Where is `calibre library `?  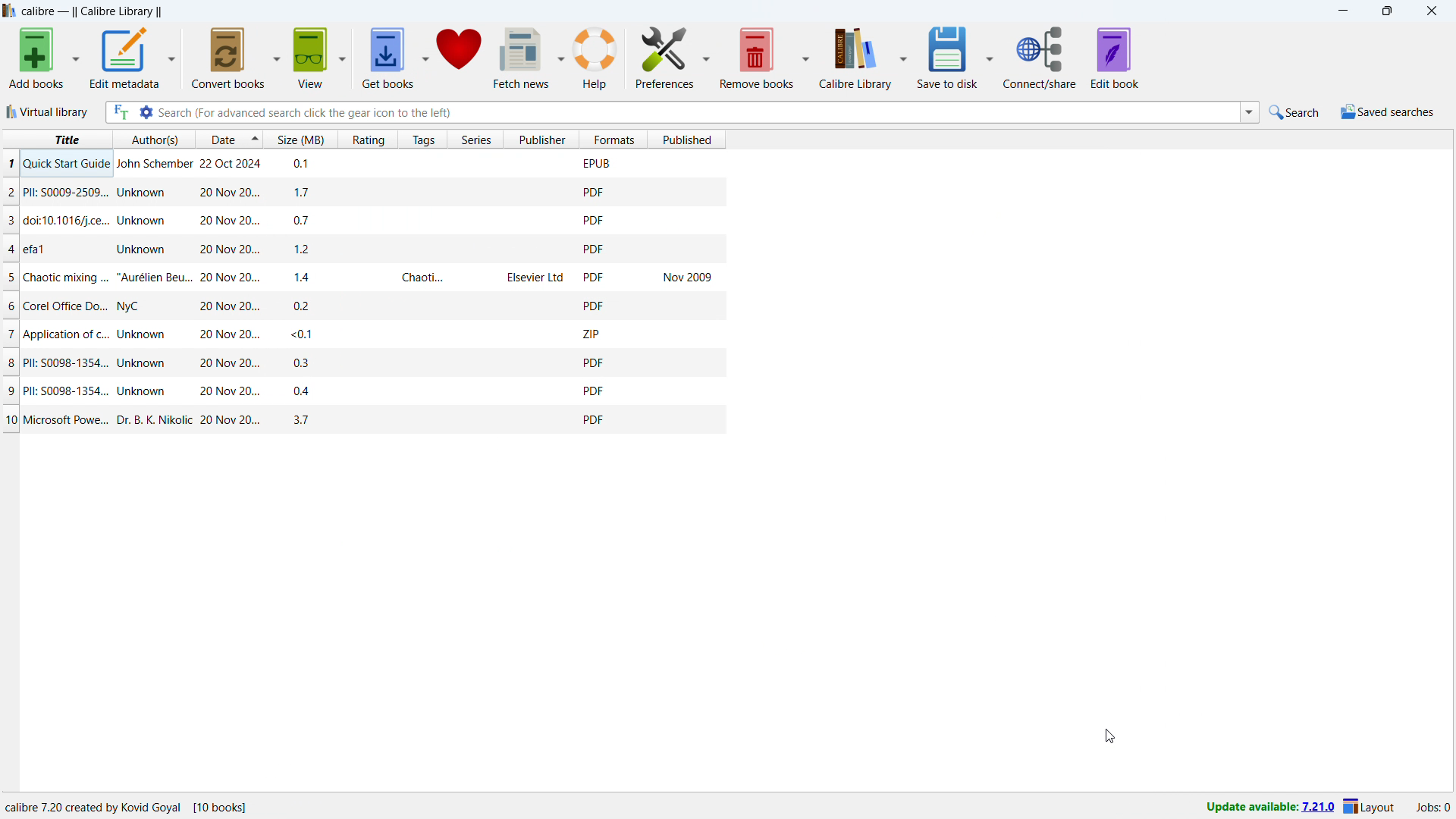
calibre library  is located at coordinates (856, 56).